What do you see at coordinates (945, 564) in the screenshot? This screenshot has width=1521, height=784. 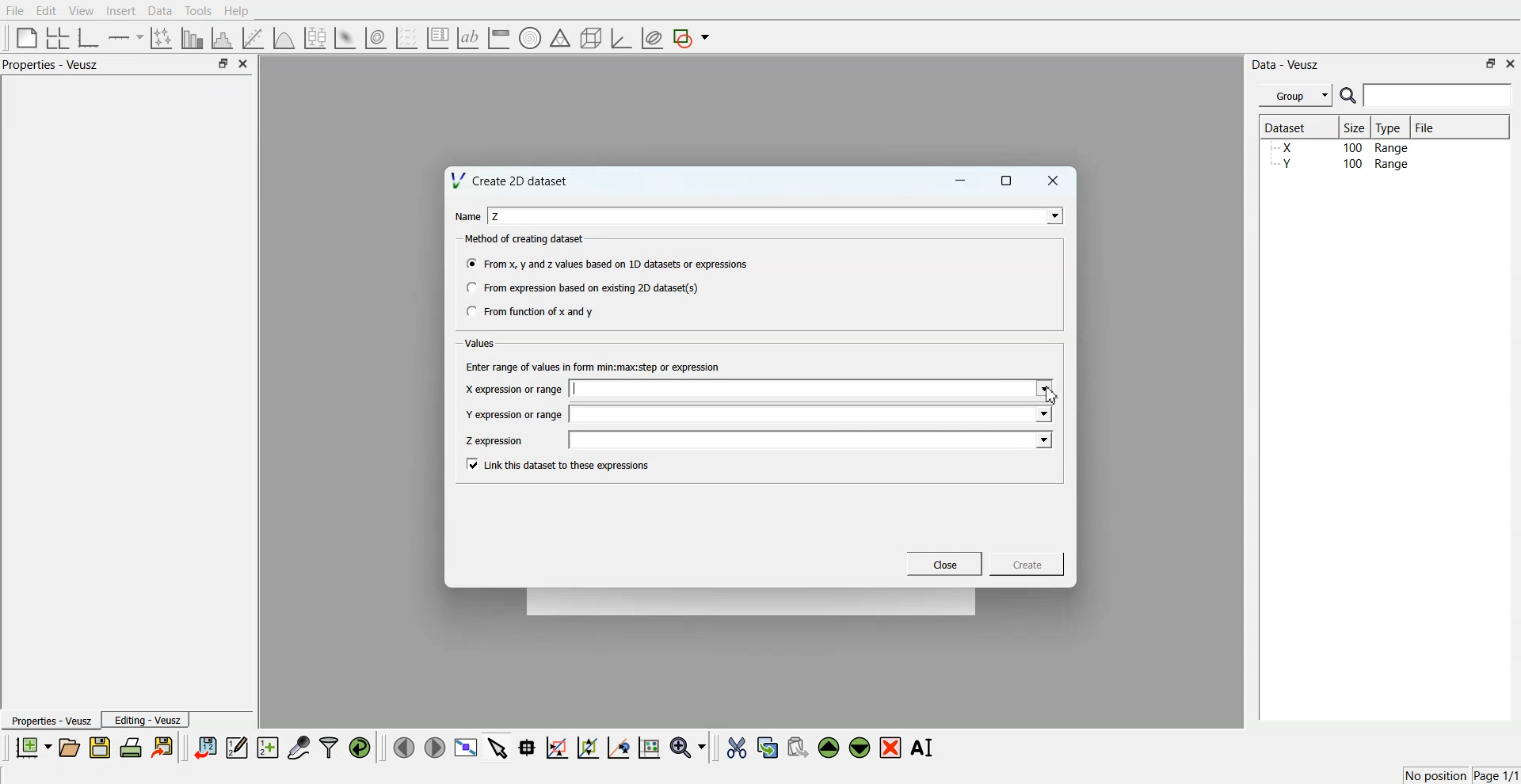 I see `Close` at bounding box center [945, 564].